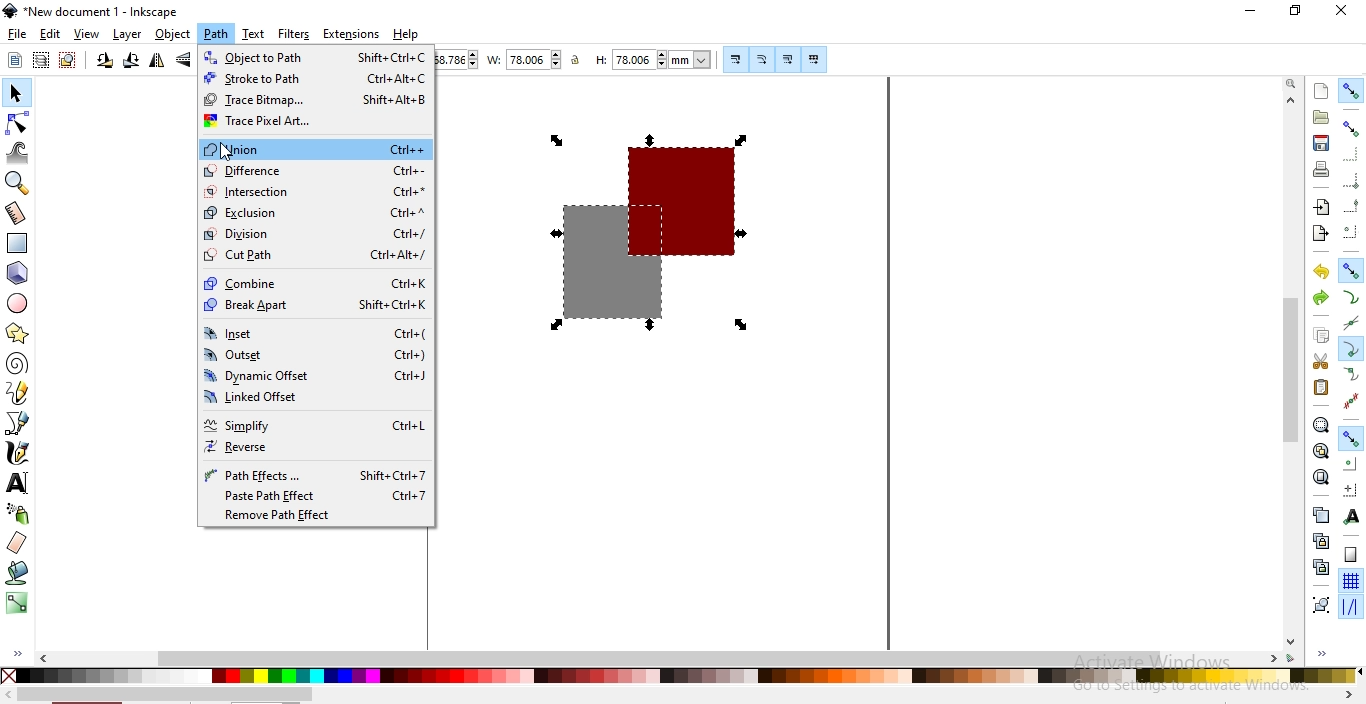 This screenshot has width=1366, height=704. I want to click on edit paths by nodes, so click(19, 123).